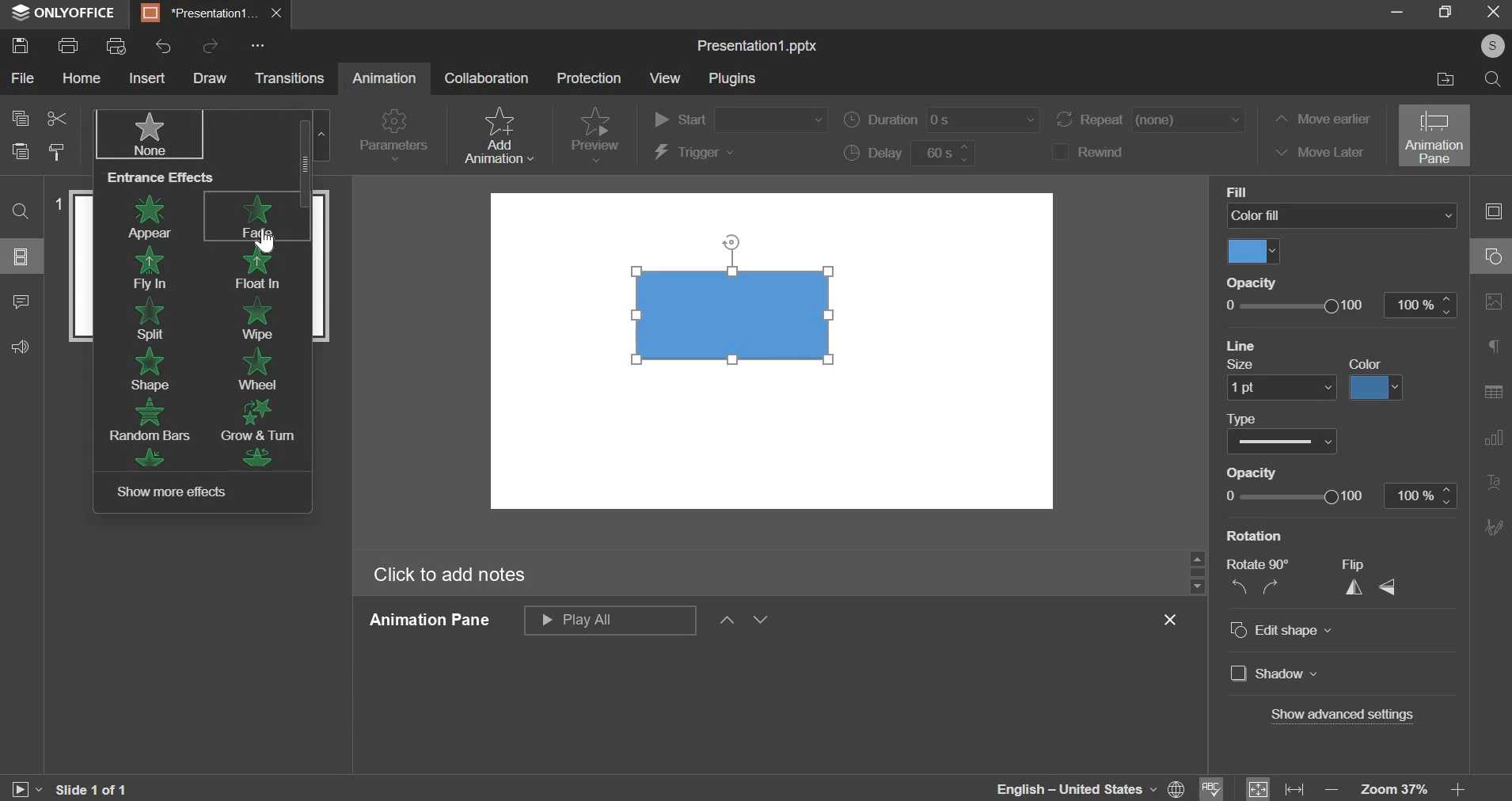  What do you see at coordinates (1494, 80) in the screenshot?
I see `find` at bounding box center [1494, 80].